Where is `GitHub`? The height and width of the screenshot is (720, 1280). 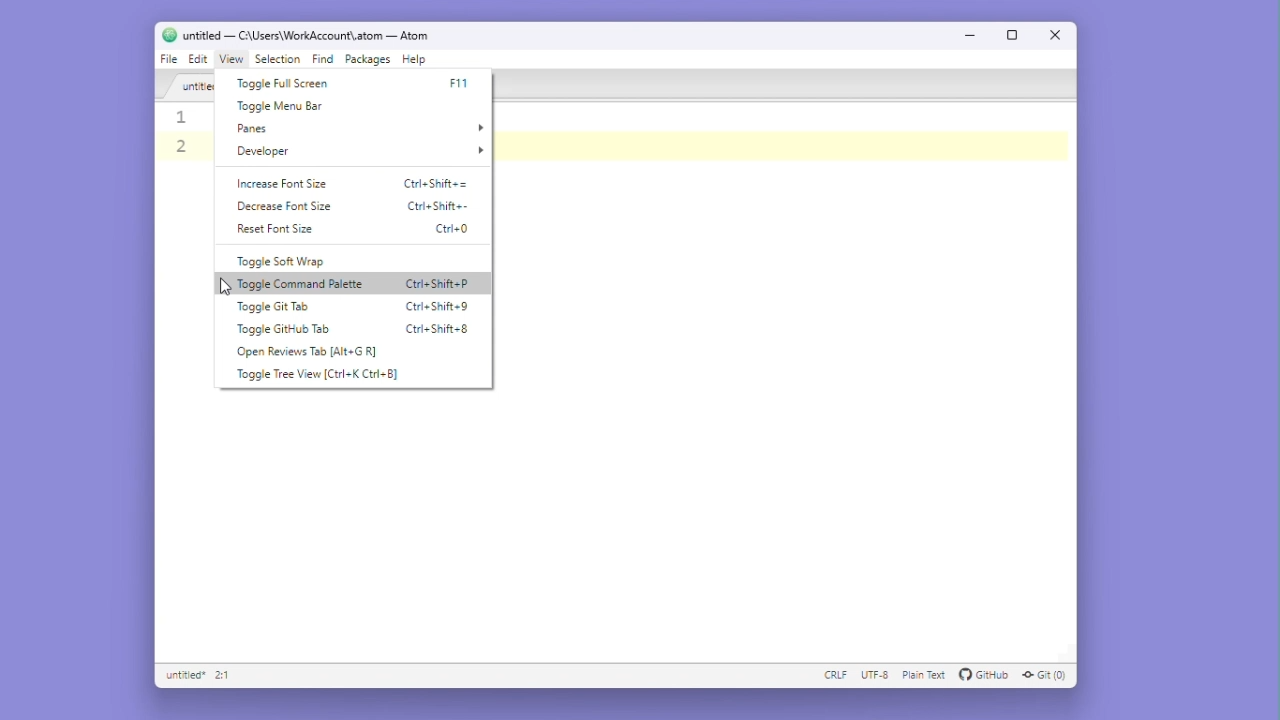 GitHub is located at coordinates (984, 676).